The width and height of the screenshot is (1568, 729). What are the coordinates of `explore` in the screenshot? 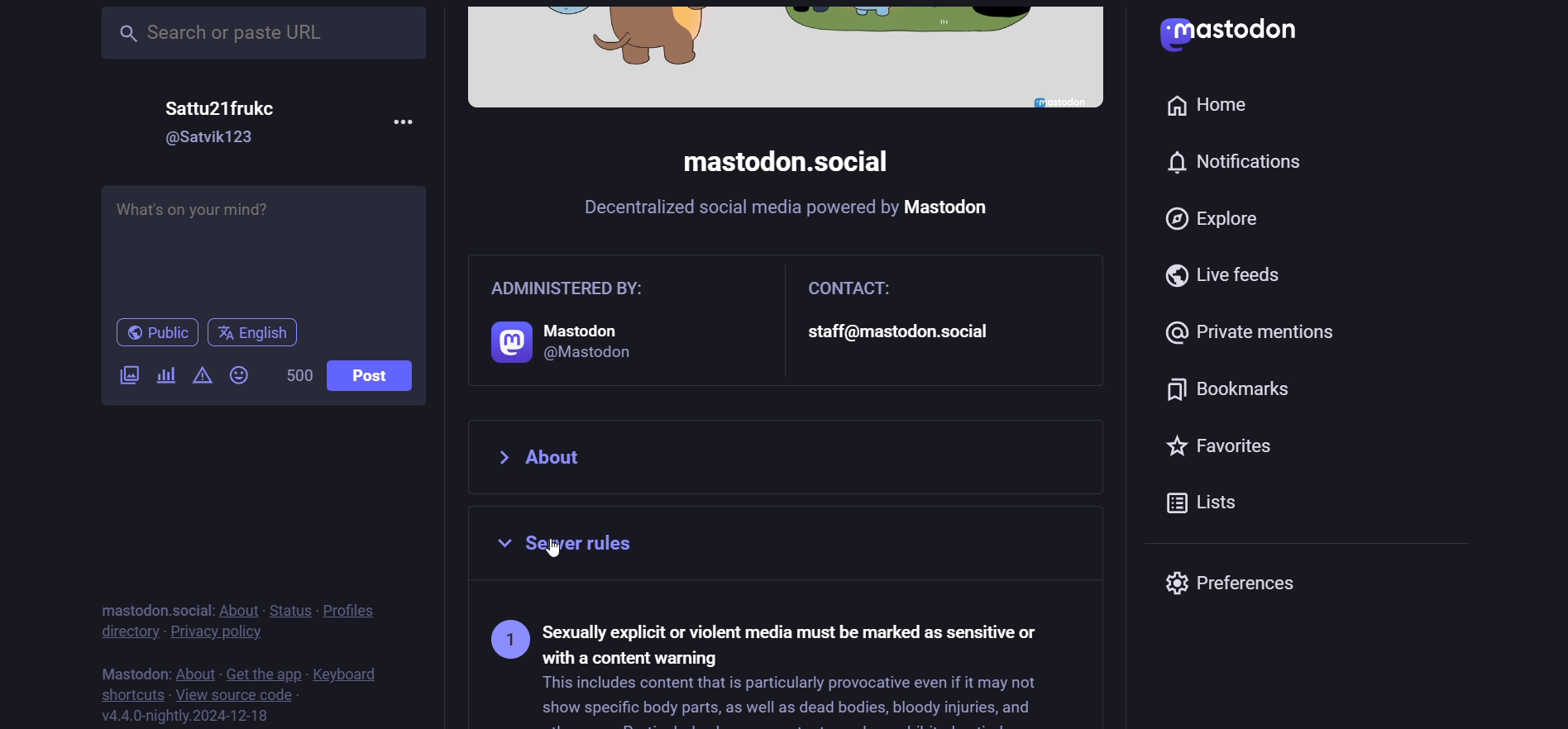 It's located at (1217, 222).